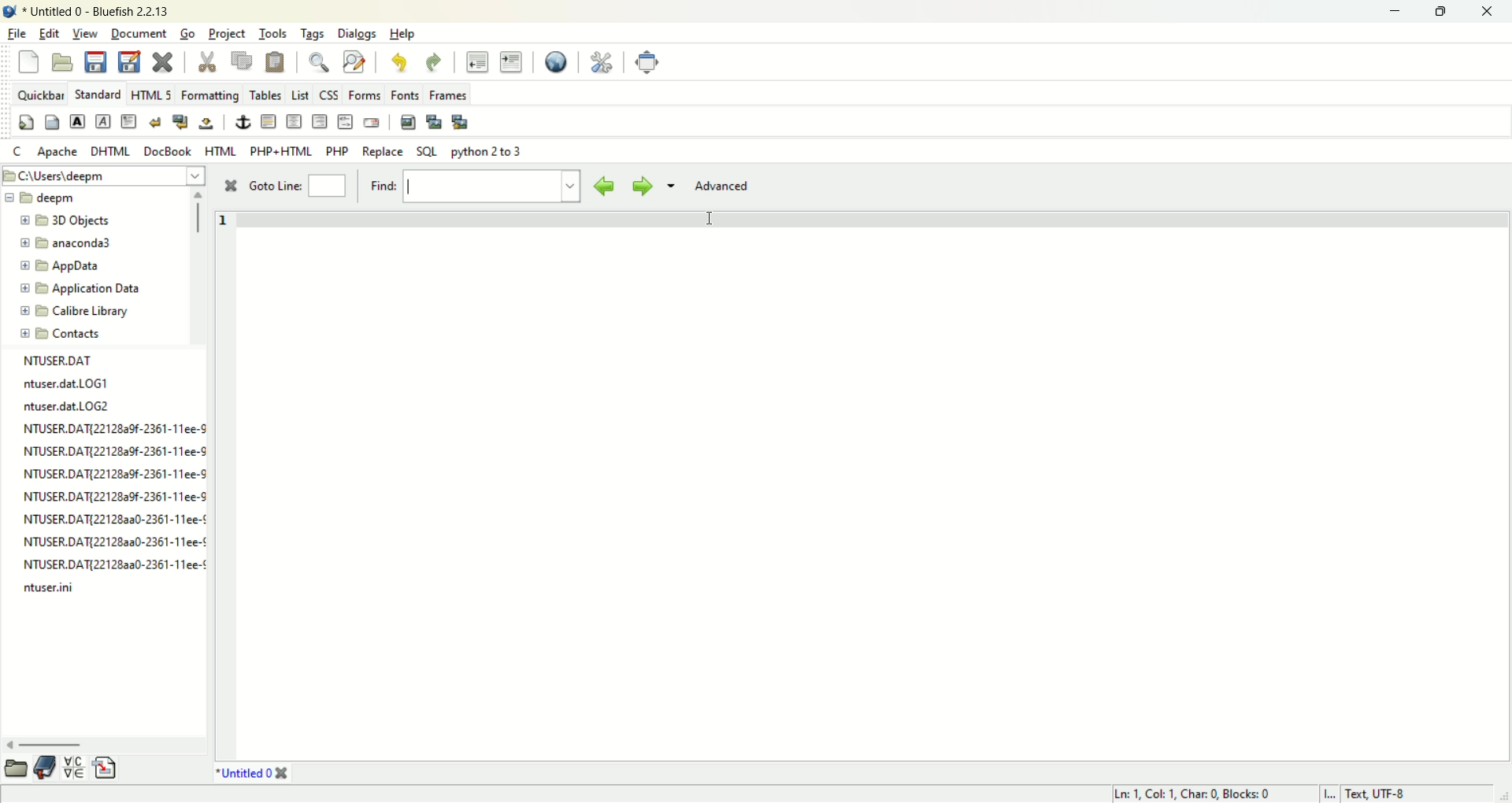 The image size is (1512, 803). Describe the element at coordinates (267, 123) in the screenshot. I see `horizontal rule` at that location.